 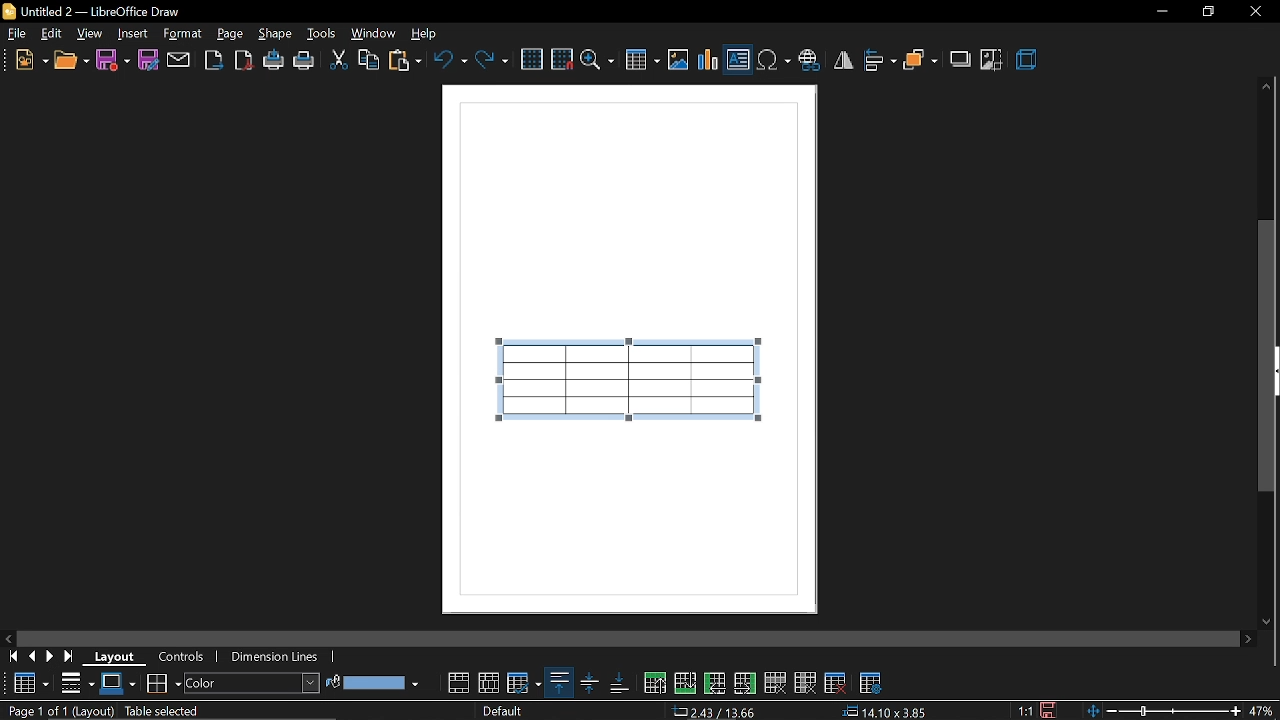 I want to click on 3d effects, so click(x=1027, y=60).